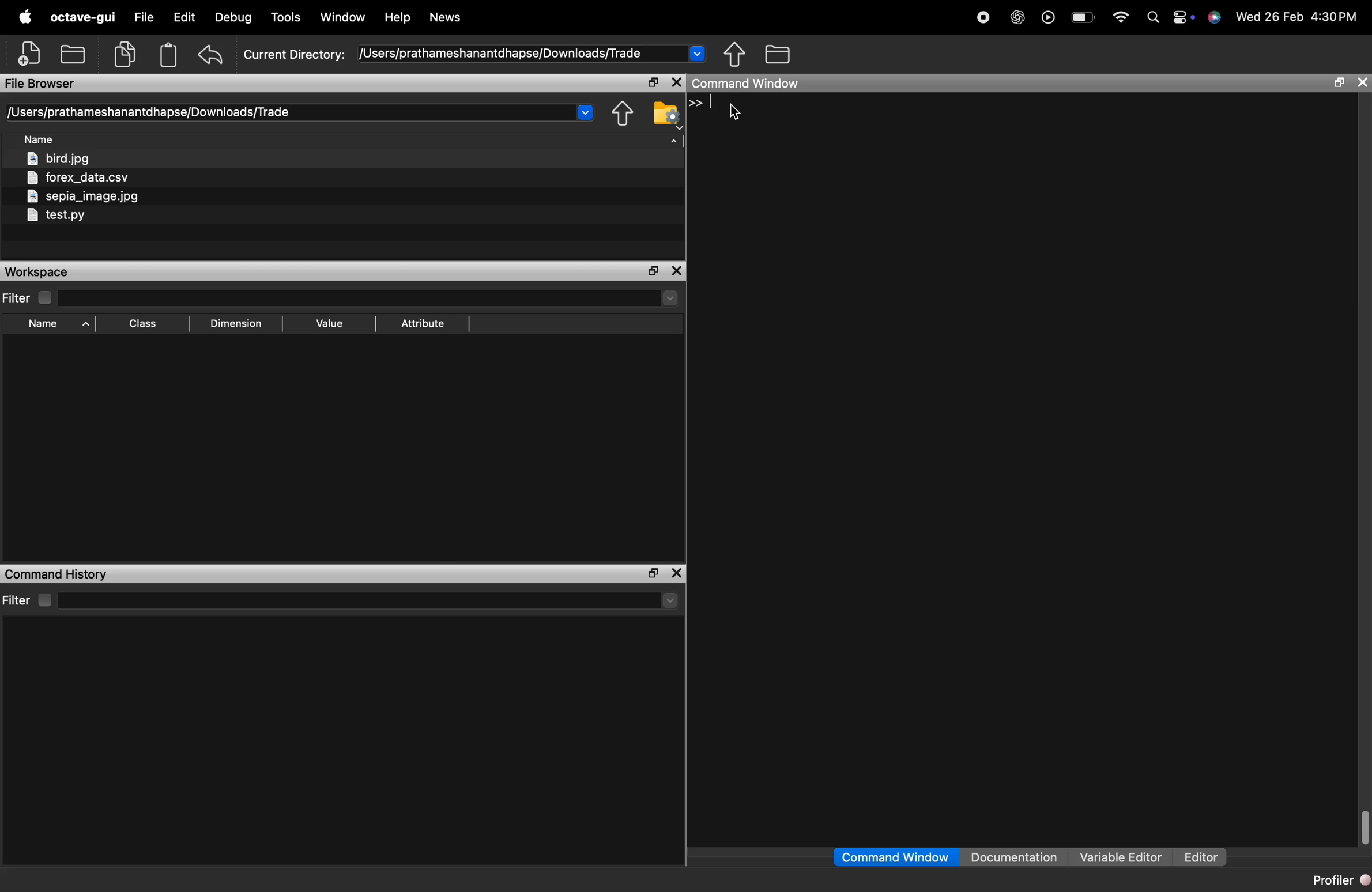  Describe the element at coordinates (446, 17) in the screenshot. I see `News` at that location.